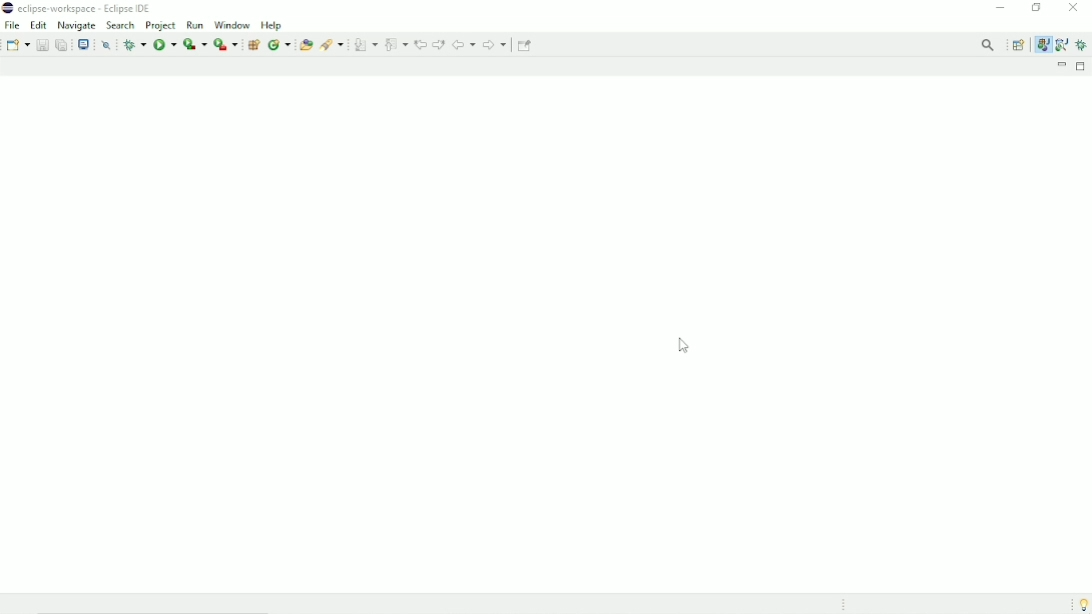 This screenshot has height=614, width=1092. I want to click on Previous edit location, so click(420, 43).